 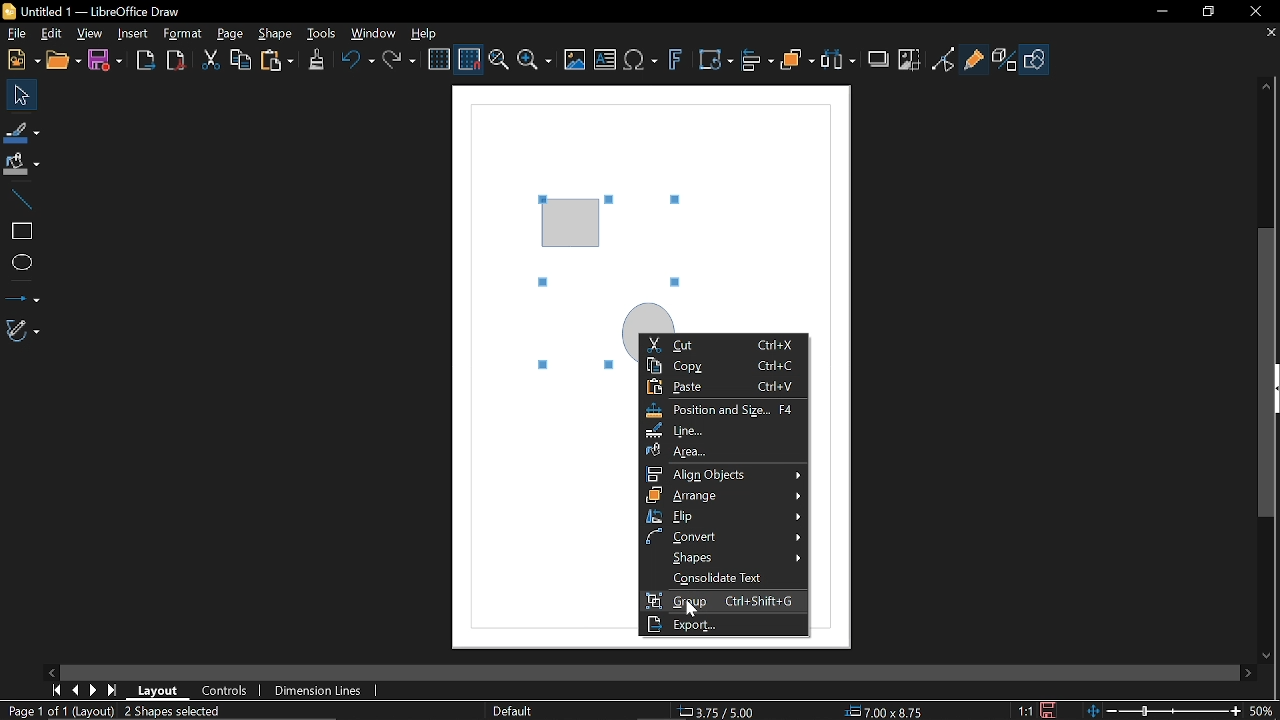 What do you see at coordinates (222, 691) in the screenshot?
I see `Controls` at bounding box center [222, 691].